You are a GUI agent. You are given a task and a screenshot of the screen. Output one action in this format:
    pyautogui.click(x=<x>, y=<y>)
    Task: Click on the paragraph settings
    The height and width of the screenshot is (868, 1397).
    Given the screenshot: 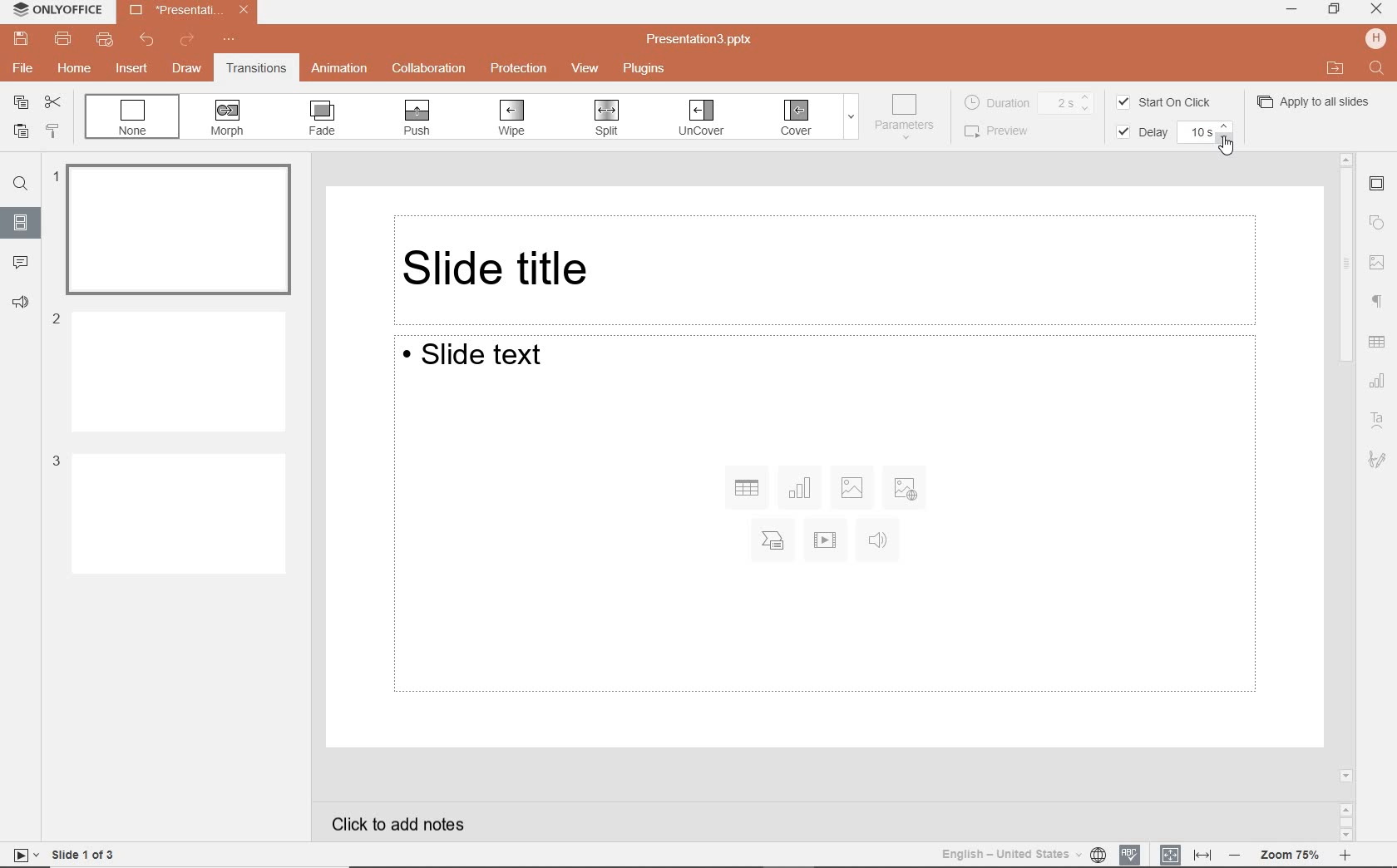 What is the action you would take?
    pyautogui.click(x=1380, y=302)
    